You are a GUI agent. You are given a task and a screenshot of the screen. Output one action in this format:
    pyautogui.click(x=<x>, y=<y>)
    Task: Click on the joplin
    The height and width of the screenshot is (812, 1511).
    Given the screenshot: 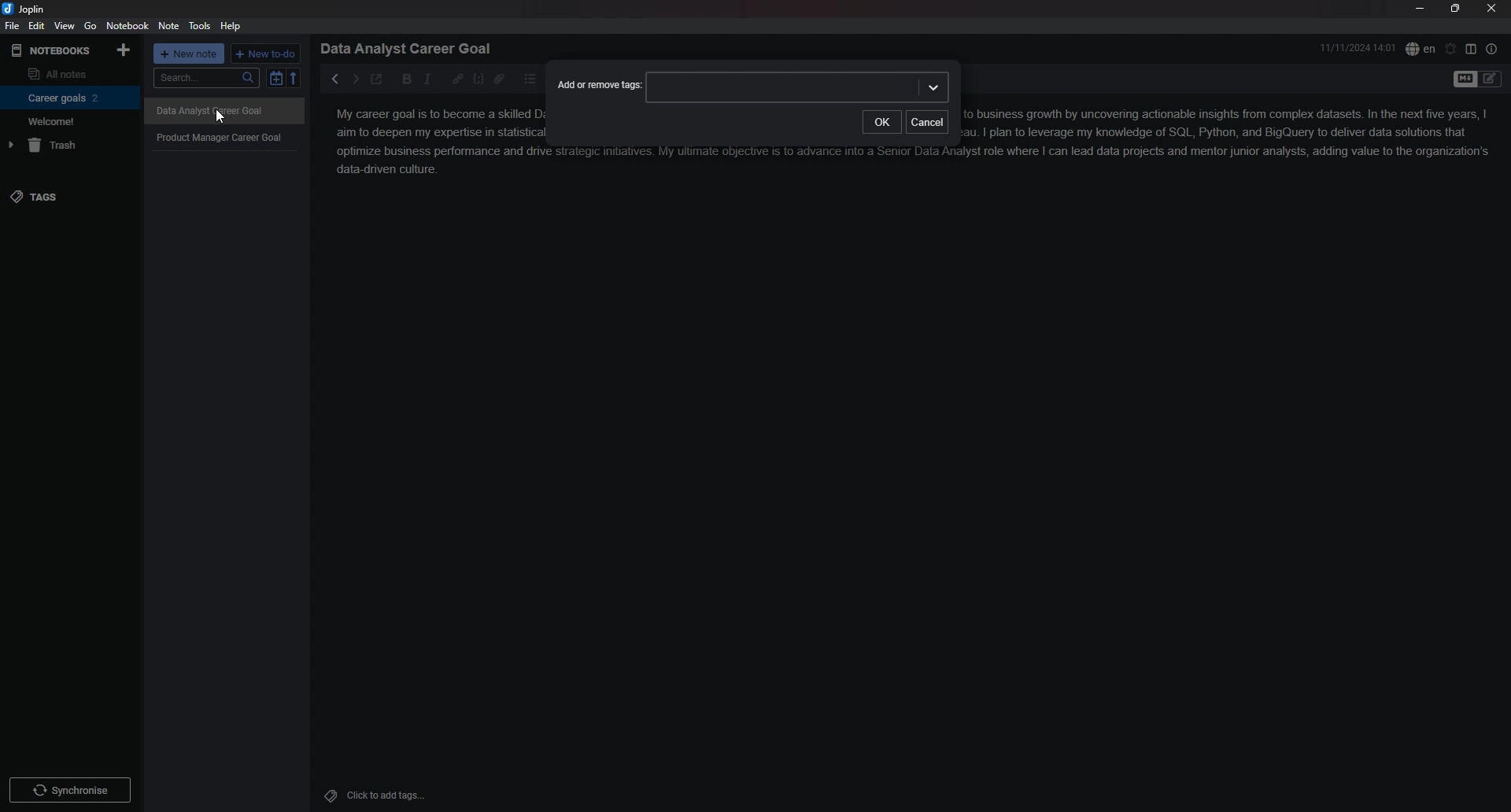 What is the action you would take?
    pyautogui.click(x=25, y=9)
    